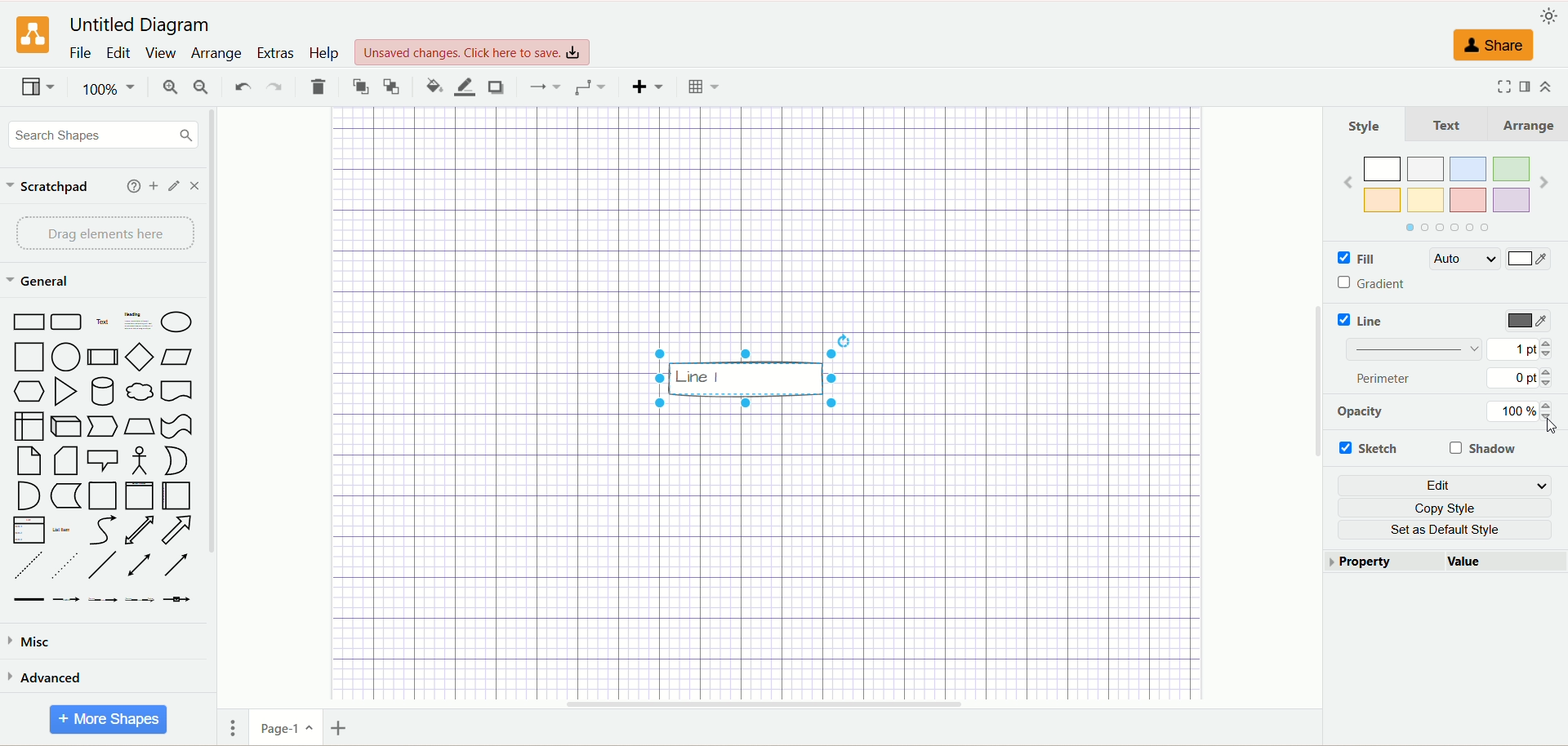  Describe the element at coordinates (177, 389) in the screenshot. I see `Document` at that location.